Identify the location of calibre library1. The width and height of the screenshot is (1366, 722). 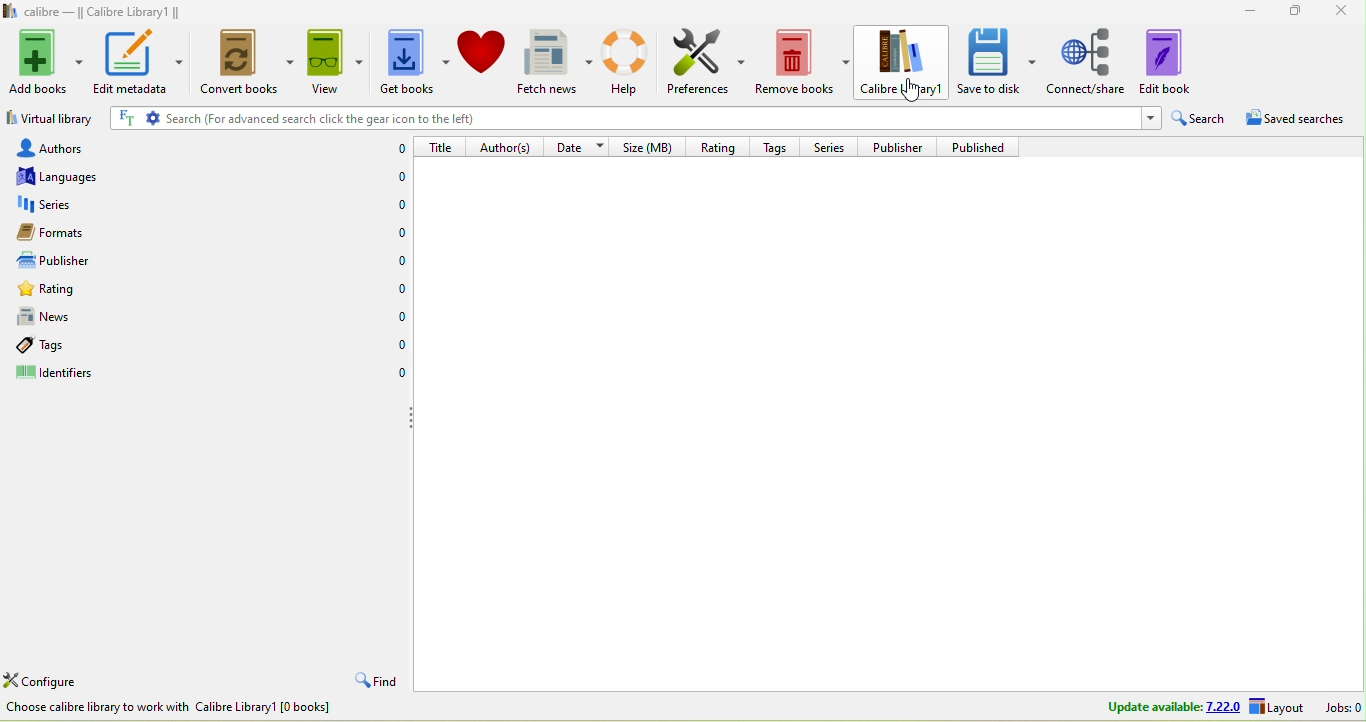
(904, 62).